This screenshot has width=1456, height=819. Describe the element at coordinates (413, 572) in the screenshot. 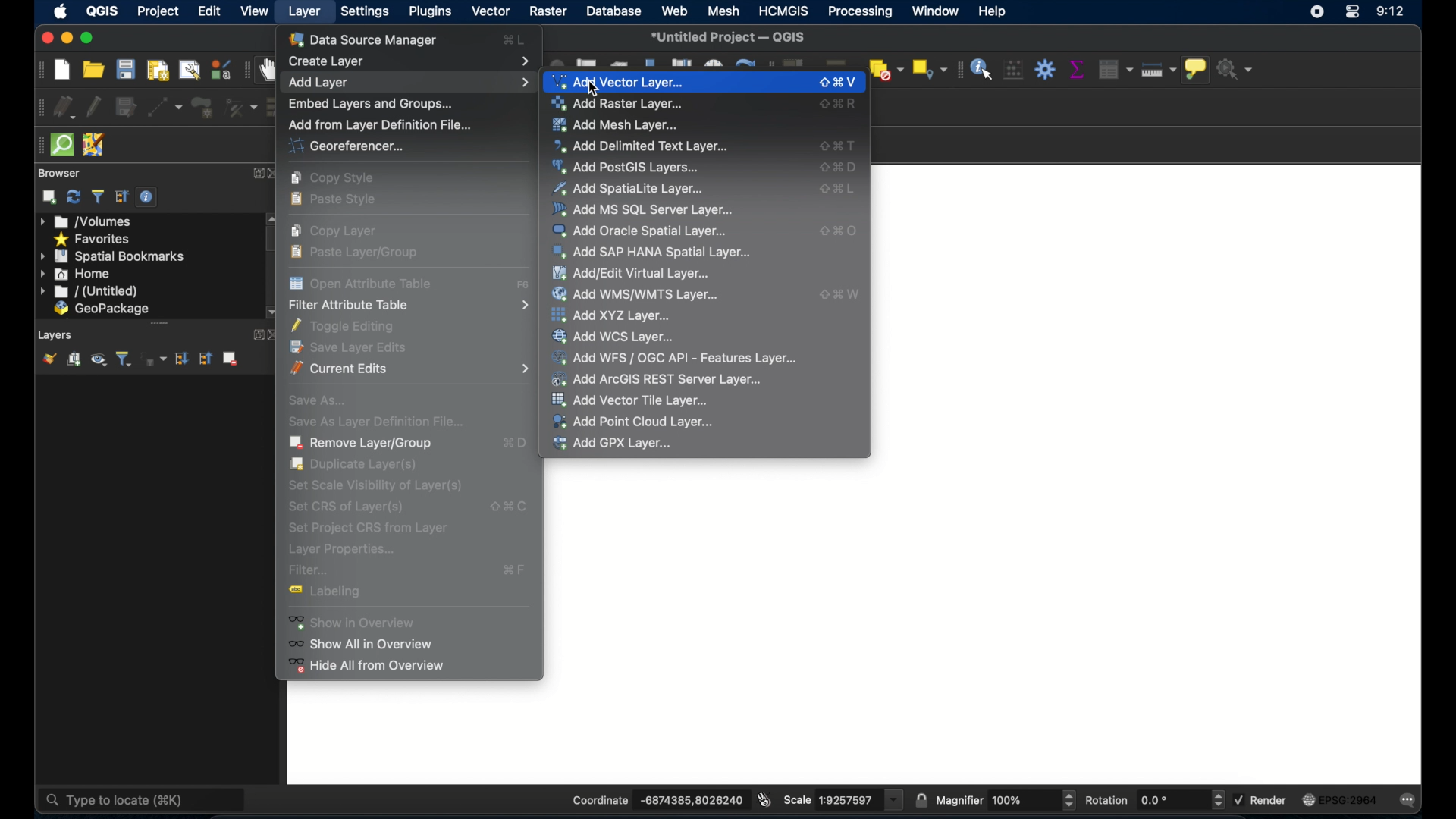

I see `Filter...` at that location.